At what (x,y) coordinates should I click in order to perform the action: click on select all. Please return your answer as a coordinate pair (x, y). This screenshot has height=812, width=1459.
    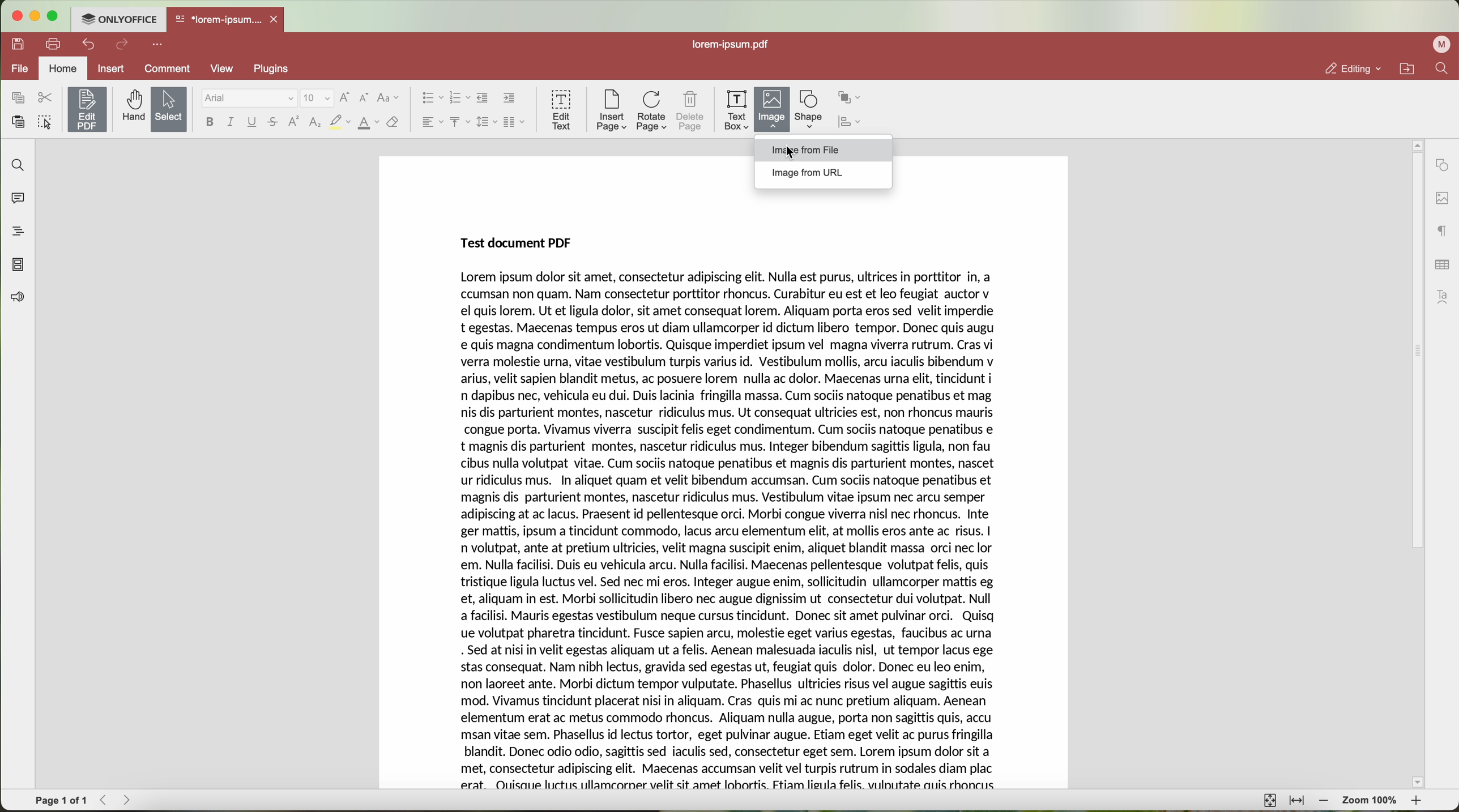
    Looking at the image, I should click on (45, 123).